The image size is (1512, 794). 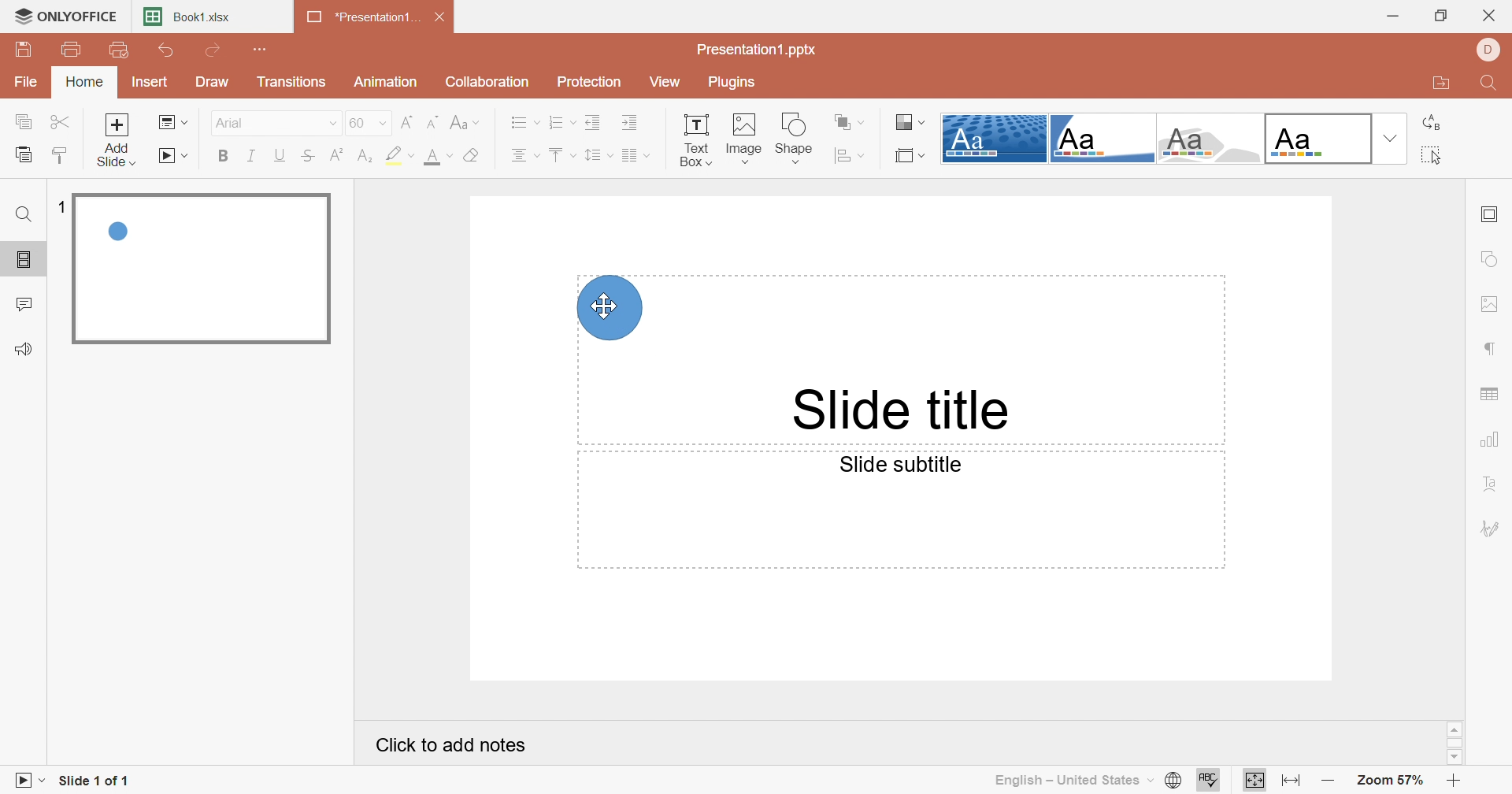 What do you see at coordinates (1254, 779) in the screenshot?
I see `Fit to slide` at bounding box center [1254, 779].